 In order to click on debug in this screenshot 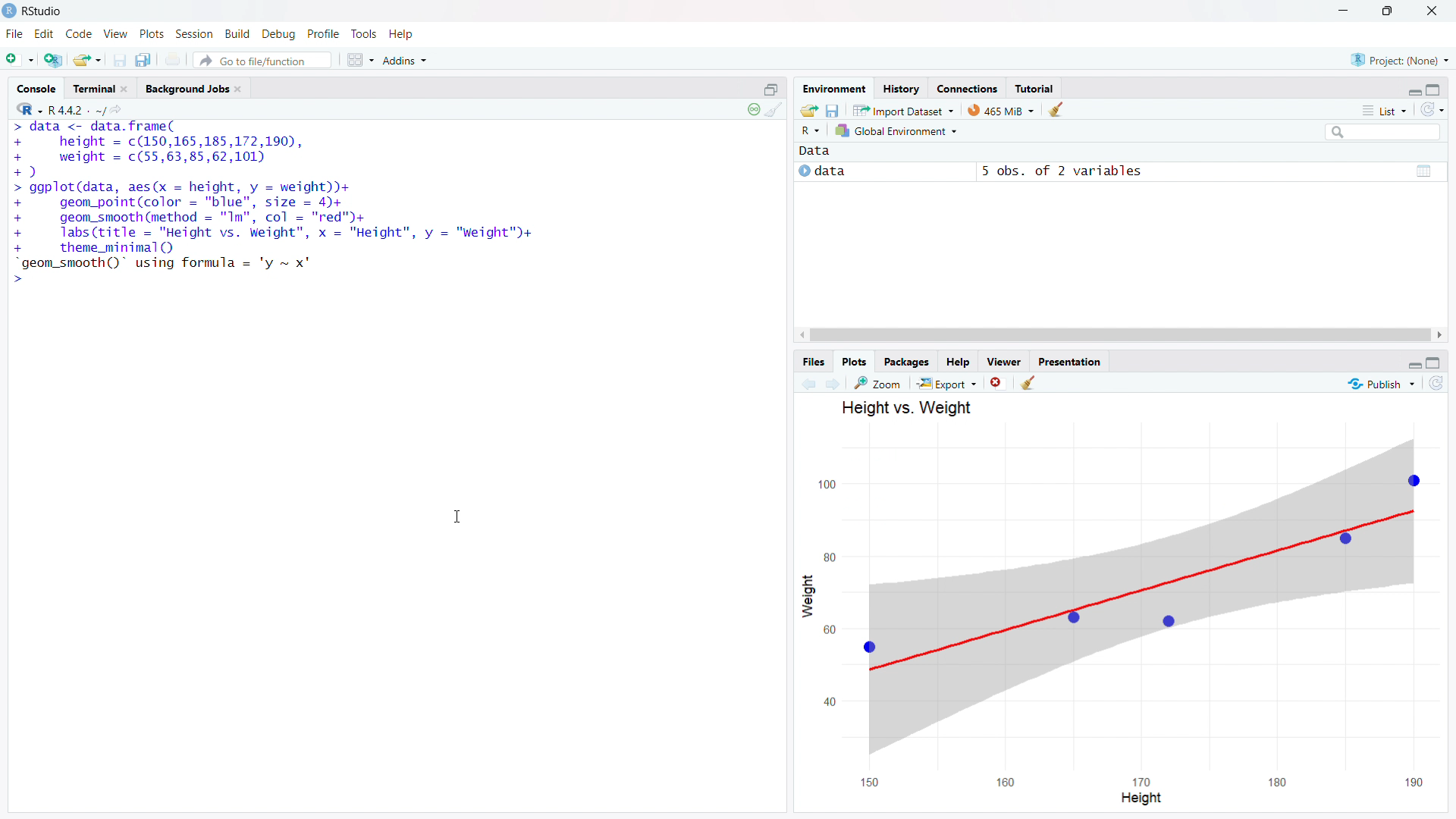, I will do `click(279, 34)`.